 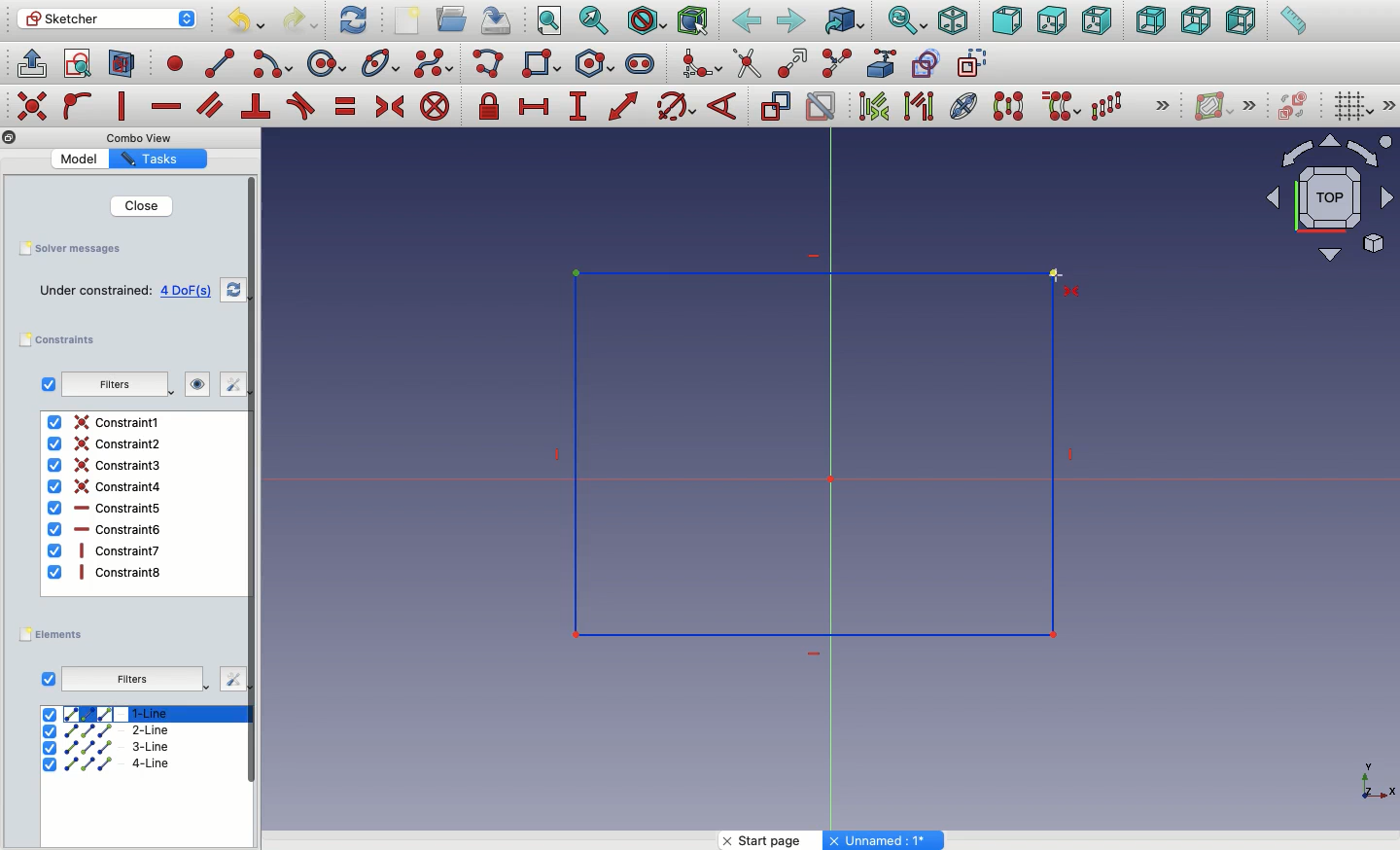 What do you see at coordinates (492, 65) in the screenshot?
I see `Polyline` at bounding box center [492, 65].